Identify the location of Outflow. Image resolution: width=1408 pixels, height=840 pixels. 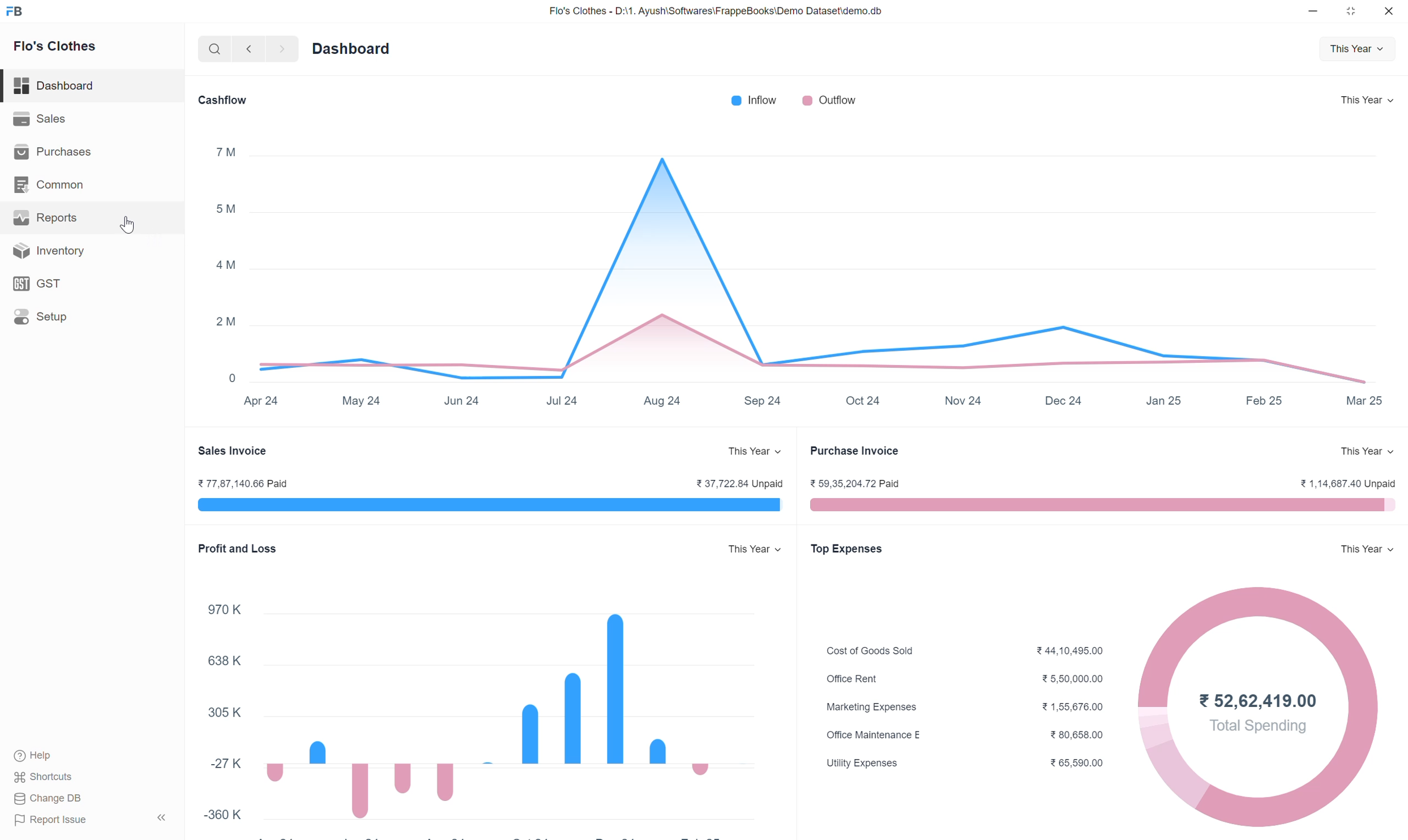
(840, 100).